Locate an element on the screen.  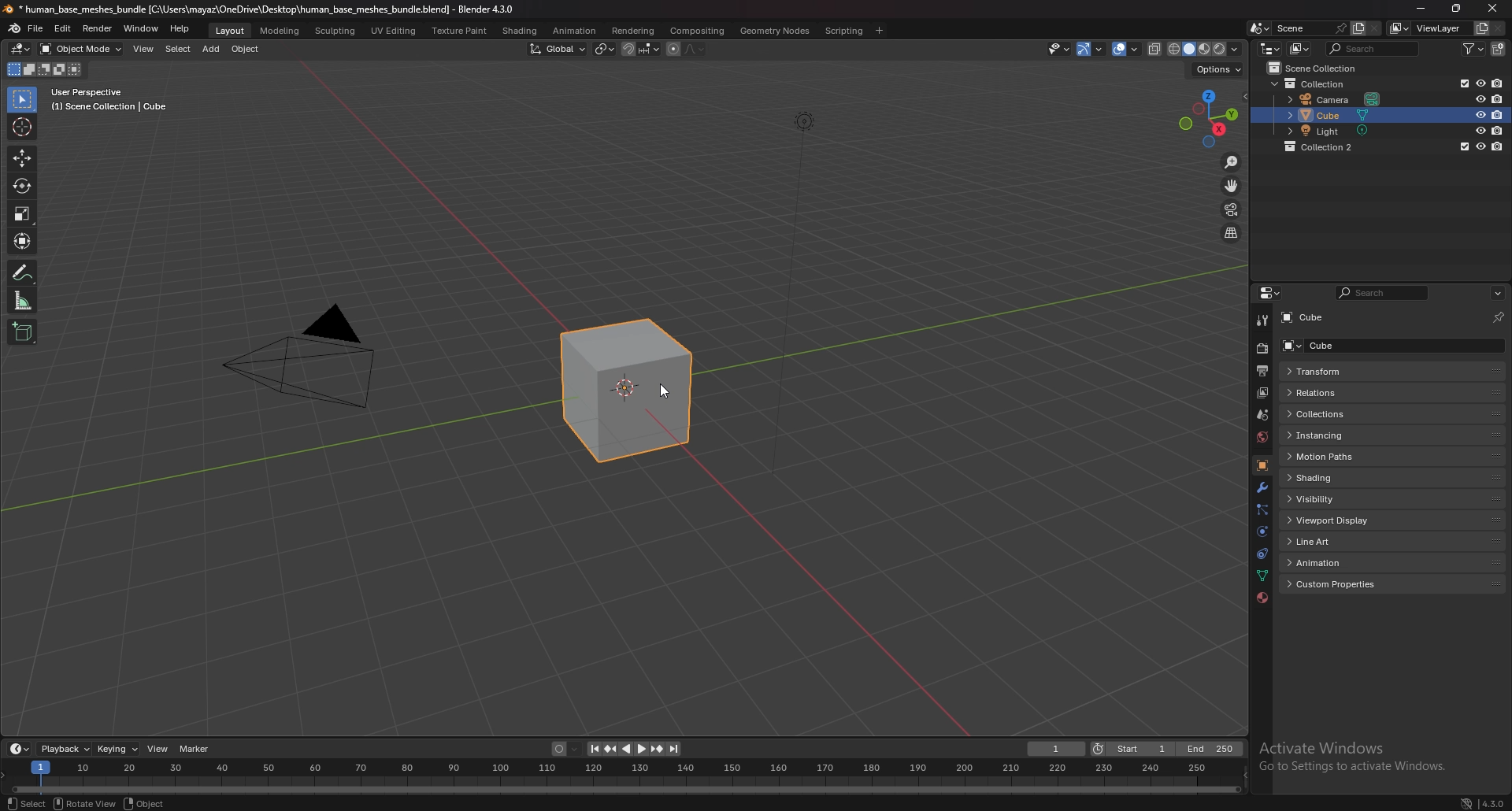
scripting is located at coordinates (845, 31).